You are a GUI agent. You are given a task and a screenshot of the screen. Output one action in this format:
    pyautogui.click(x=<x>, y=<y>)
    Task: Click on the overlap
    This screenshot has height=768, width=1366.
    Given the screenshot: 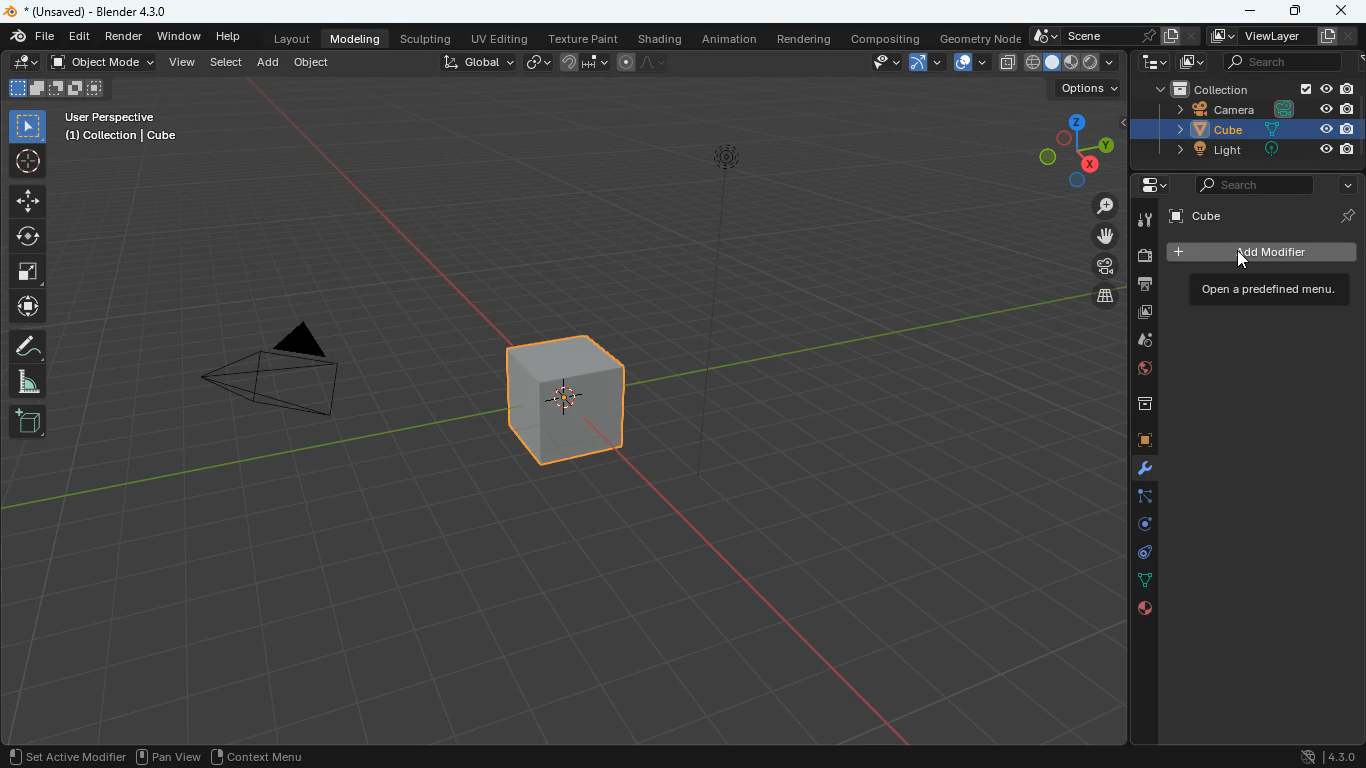 What is the action you would take?
    pyautogui.click(x=966, y=63)
    